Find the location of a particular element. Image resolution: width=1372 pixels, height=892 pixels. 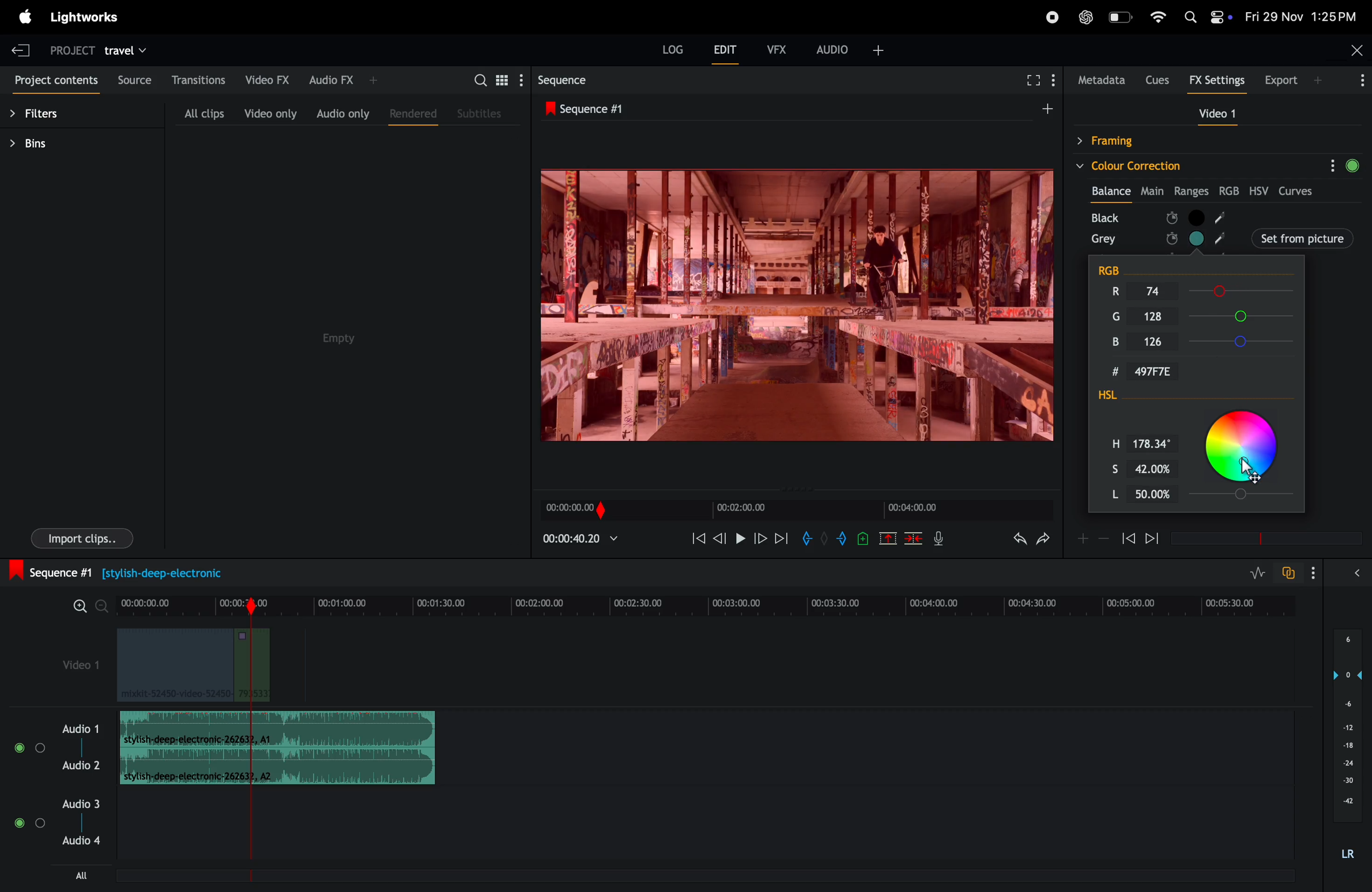

apple menu is located at coordinates (24, 18).